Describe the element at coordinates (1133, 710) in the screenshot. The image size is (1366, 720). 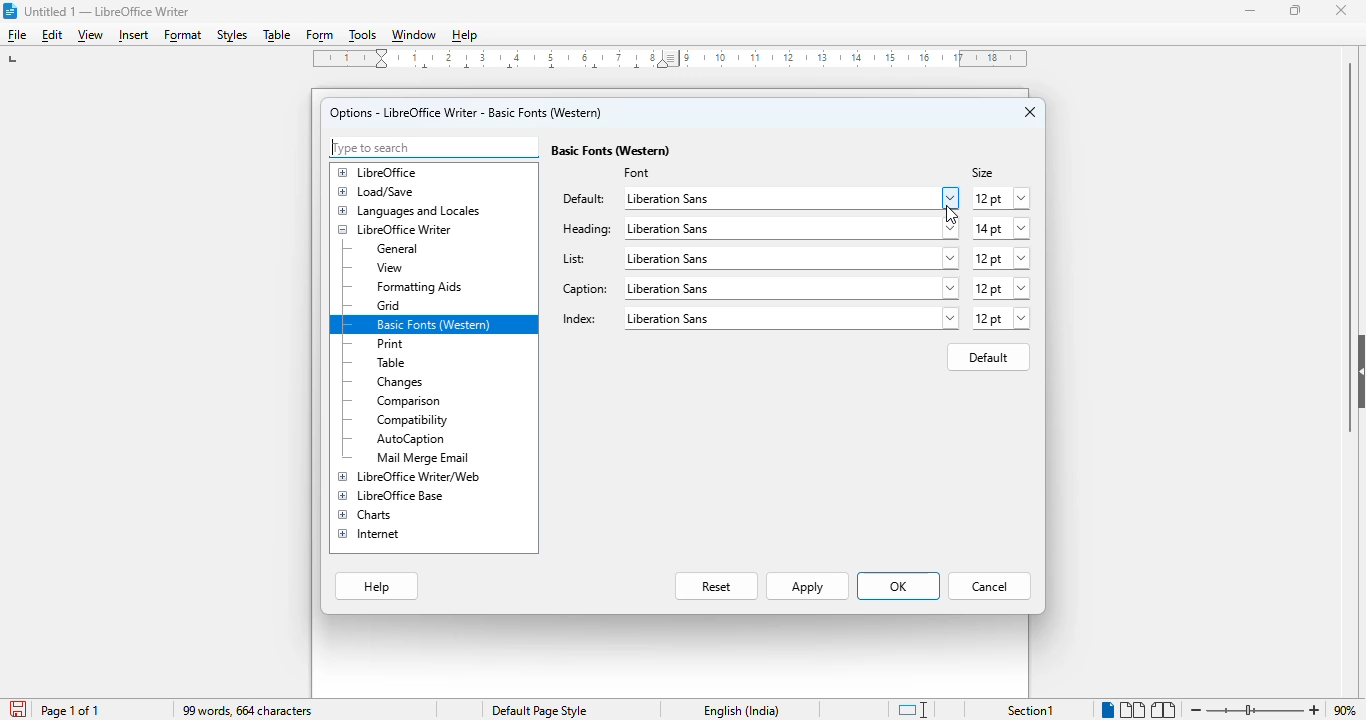
I see `multi-page view` at that location.